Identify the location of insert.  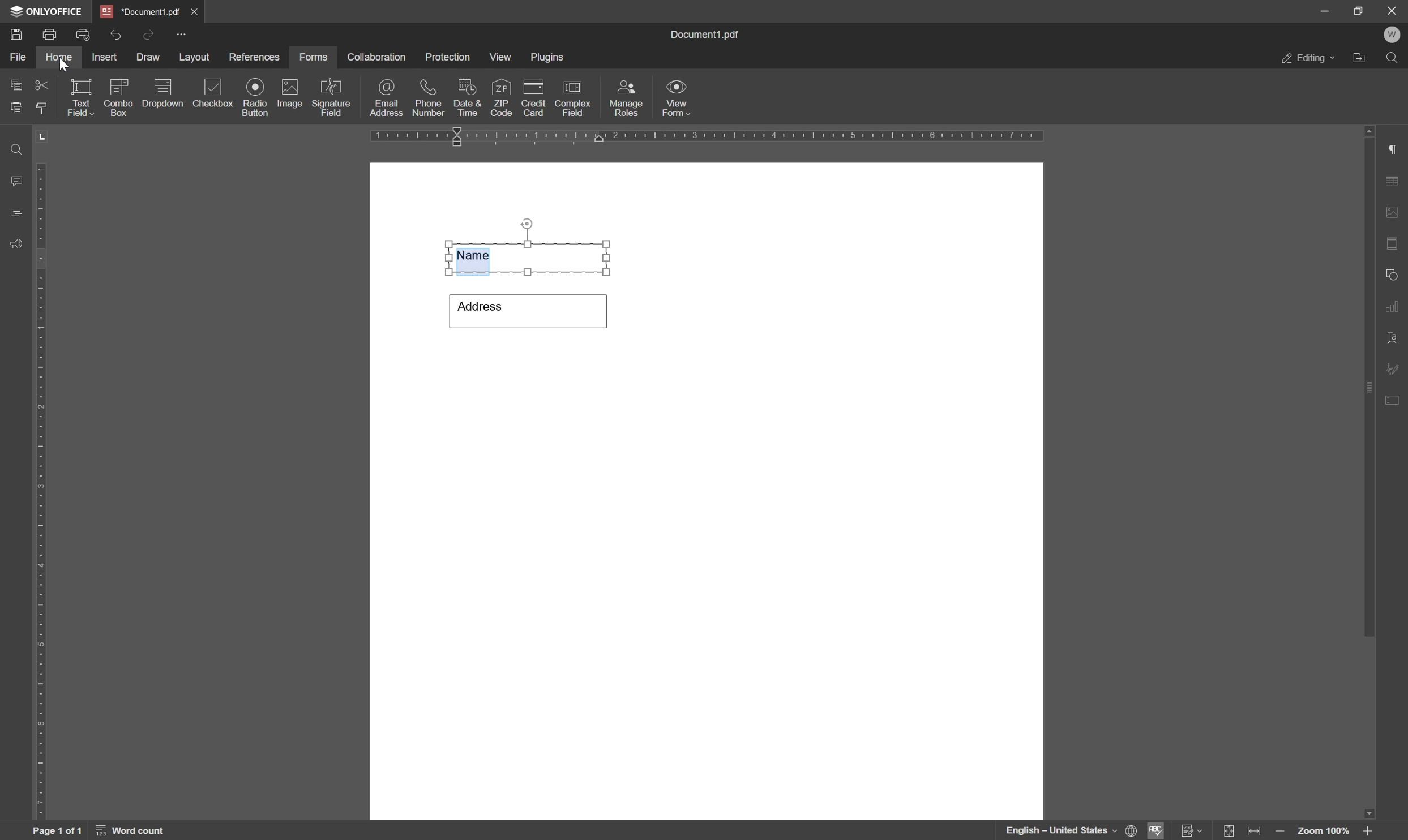
(104, 58).